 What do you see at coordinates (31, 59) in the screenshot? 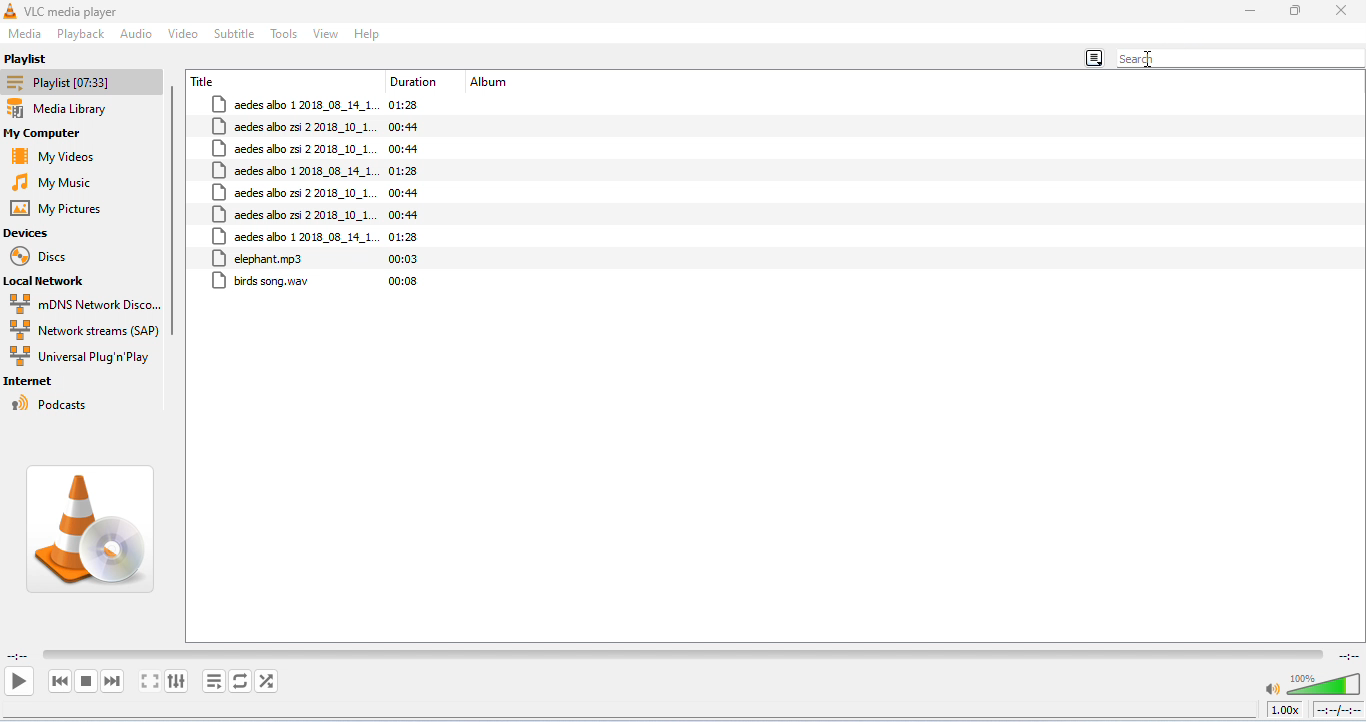
I see `playlist` at bounding box center [31, 59].